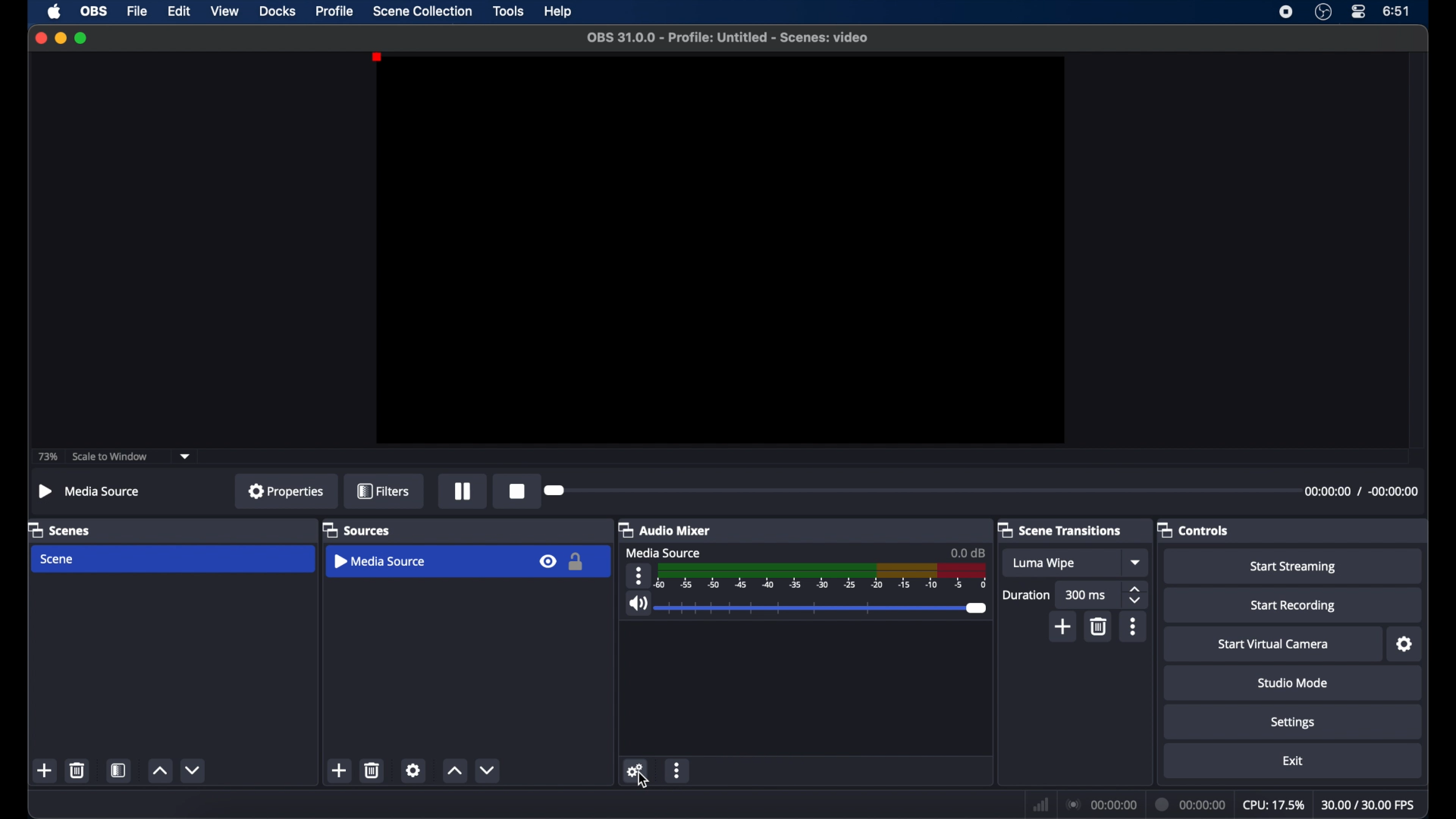 The height and width of the screenshot is (819, 1456). What do you see at coordinates (577, 562) in the screenshot?
I see `lock` at bounding box center [577, 562].